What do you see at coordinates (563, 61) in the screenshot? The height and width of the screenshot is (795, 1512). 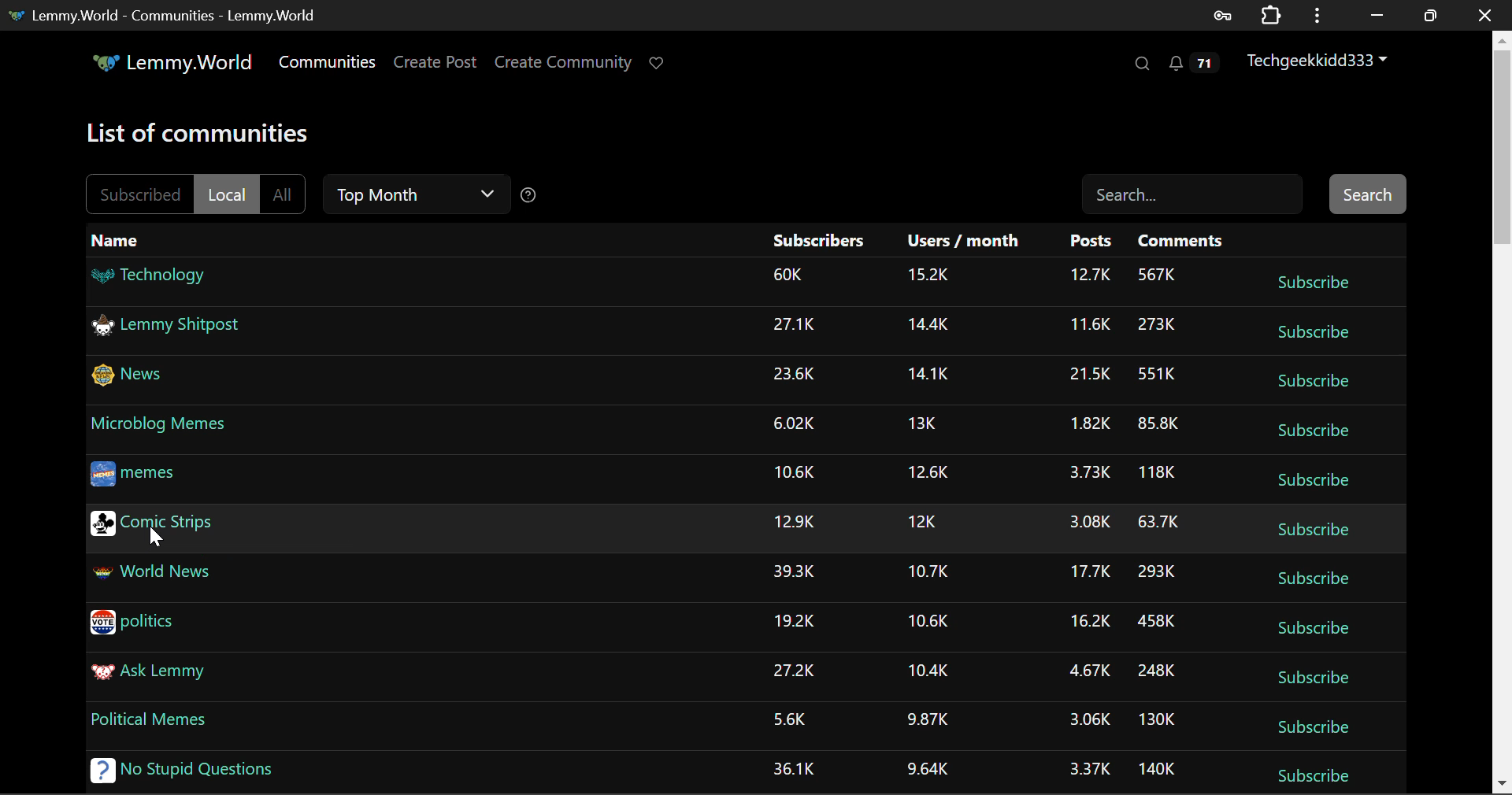 I see `Create Community` at bounding box center [563, 61].